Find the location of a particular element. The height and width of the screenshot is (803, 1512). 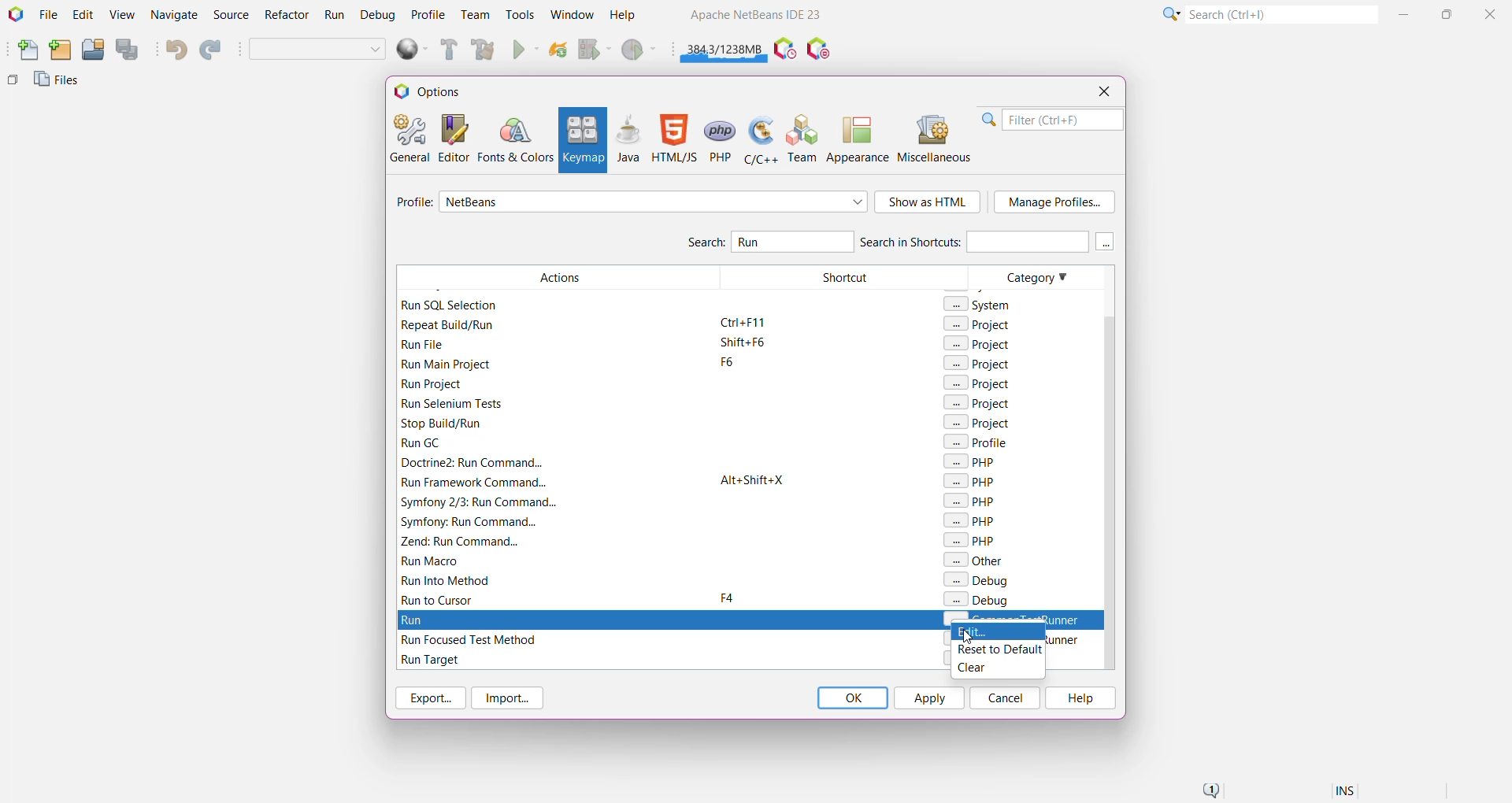

Open Project is located at coordinates (92, 50).